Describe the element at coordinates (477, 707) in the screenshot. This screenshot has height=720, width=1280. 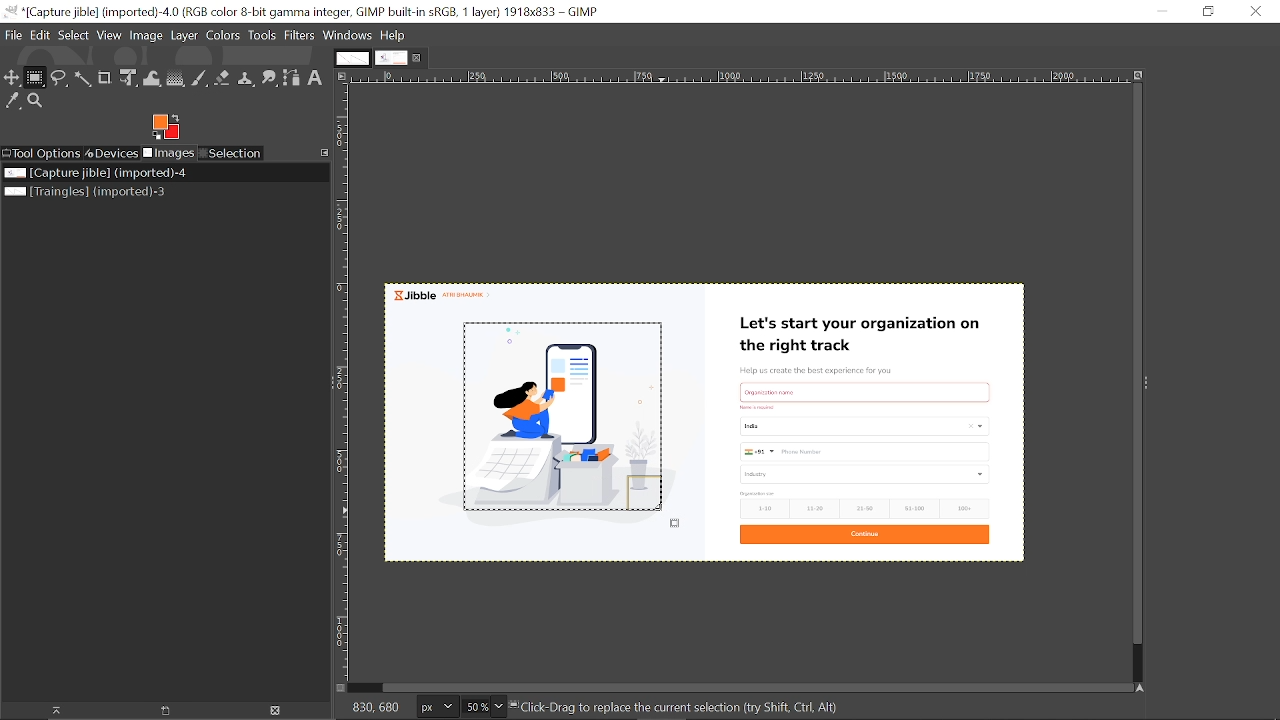
I see `Current zoom` at that location.